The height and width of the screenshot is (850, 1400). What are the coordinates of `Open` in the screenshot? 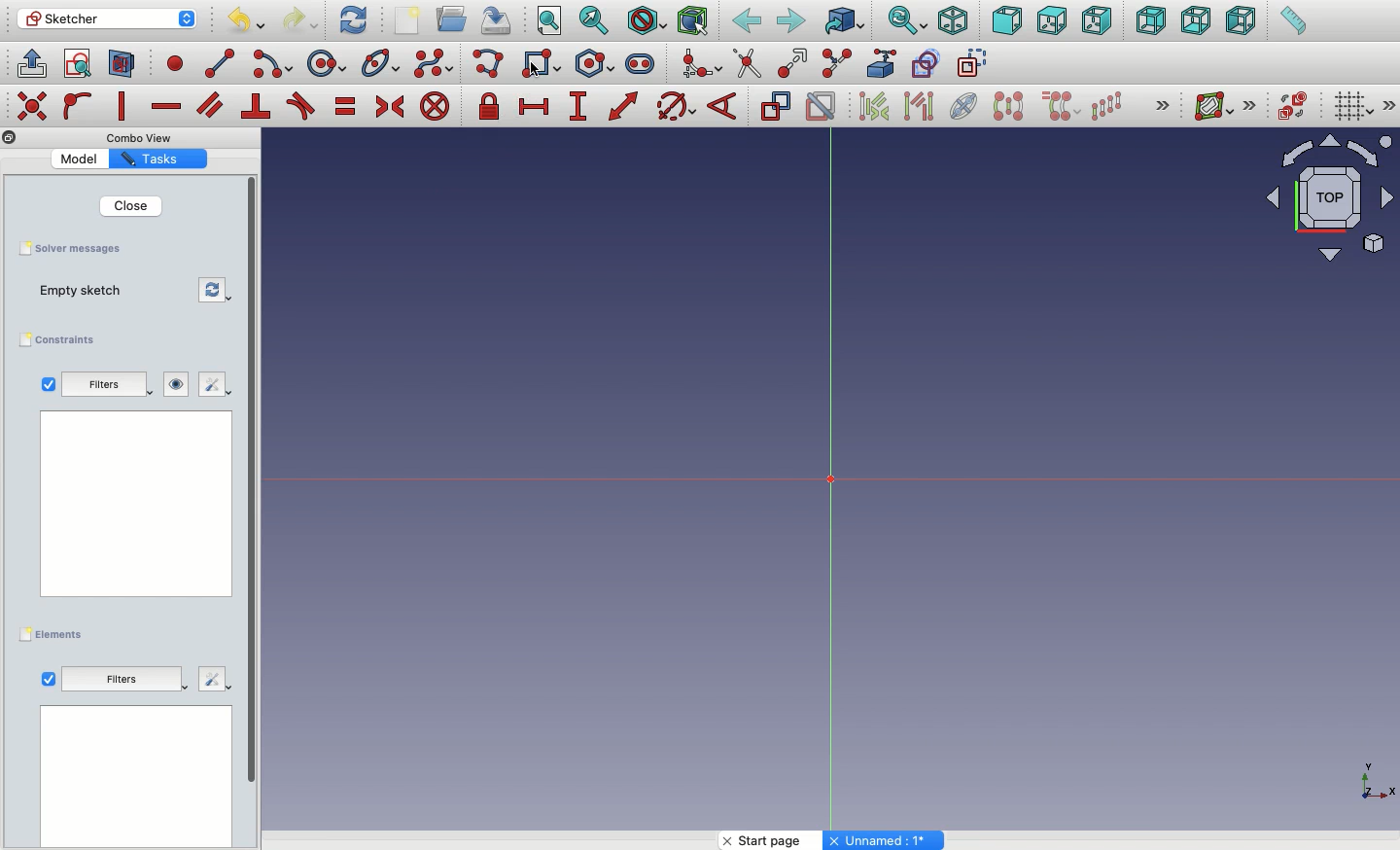 It's located at (454, 19).